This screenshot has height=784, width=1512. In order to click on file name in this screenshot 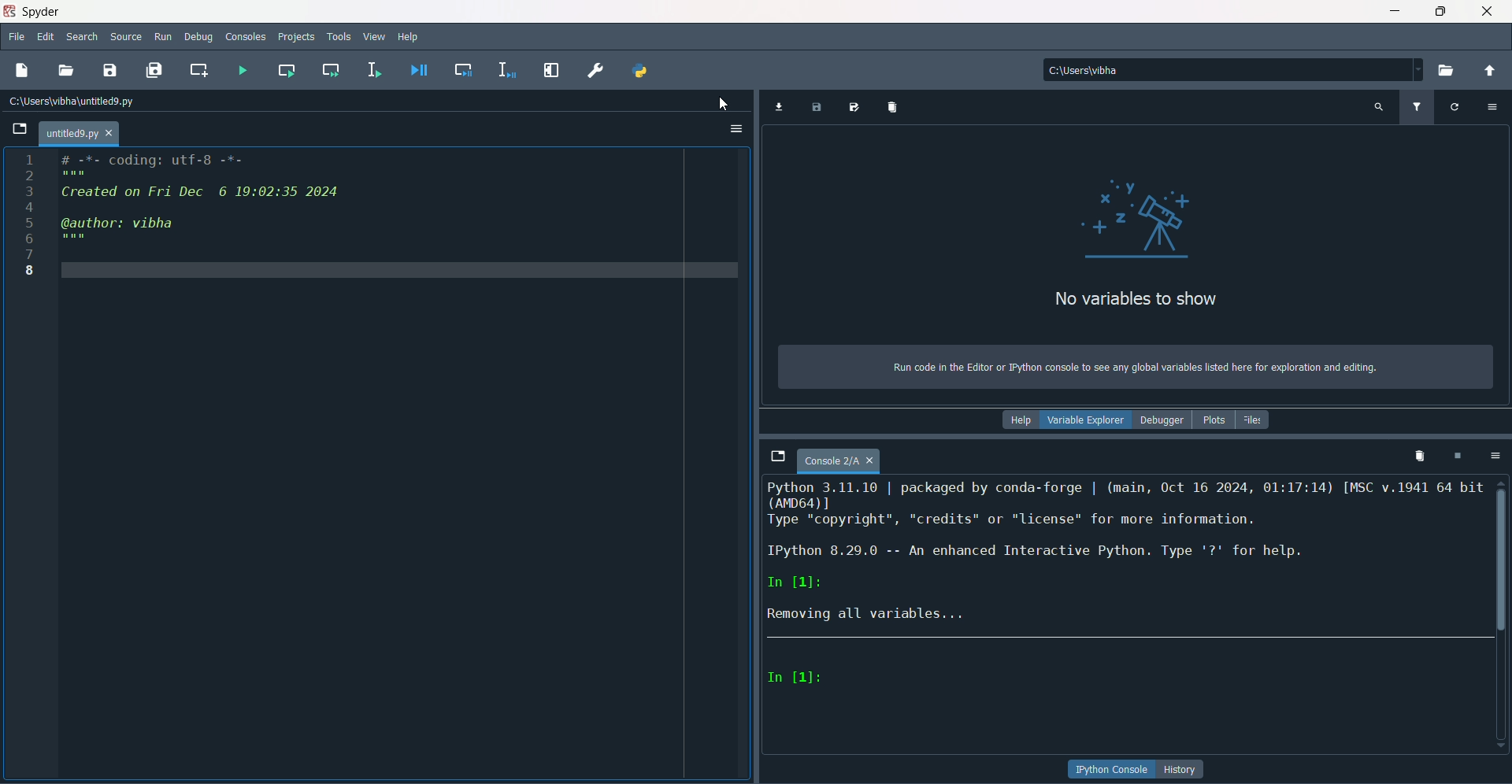, I will do `click(839, 462)`.